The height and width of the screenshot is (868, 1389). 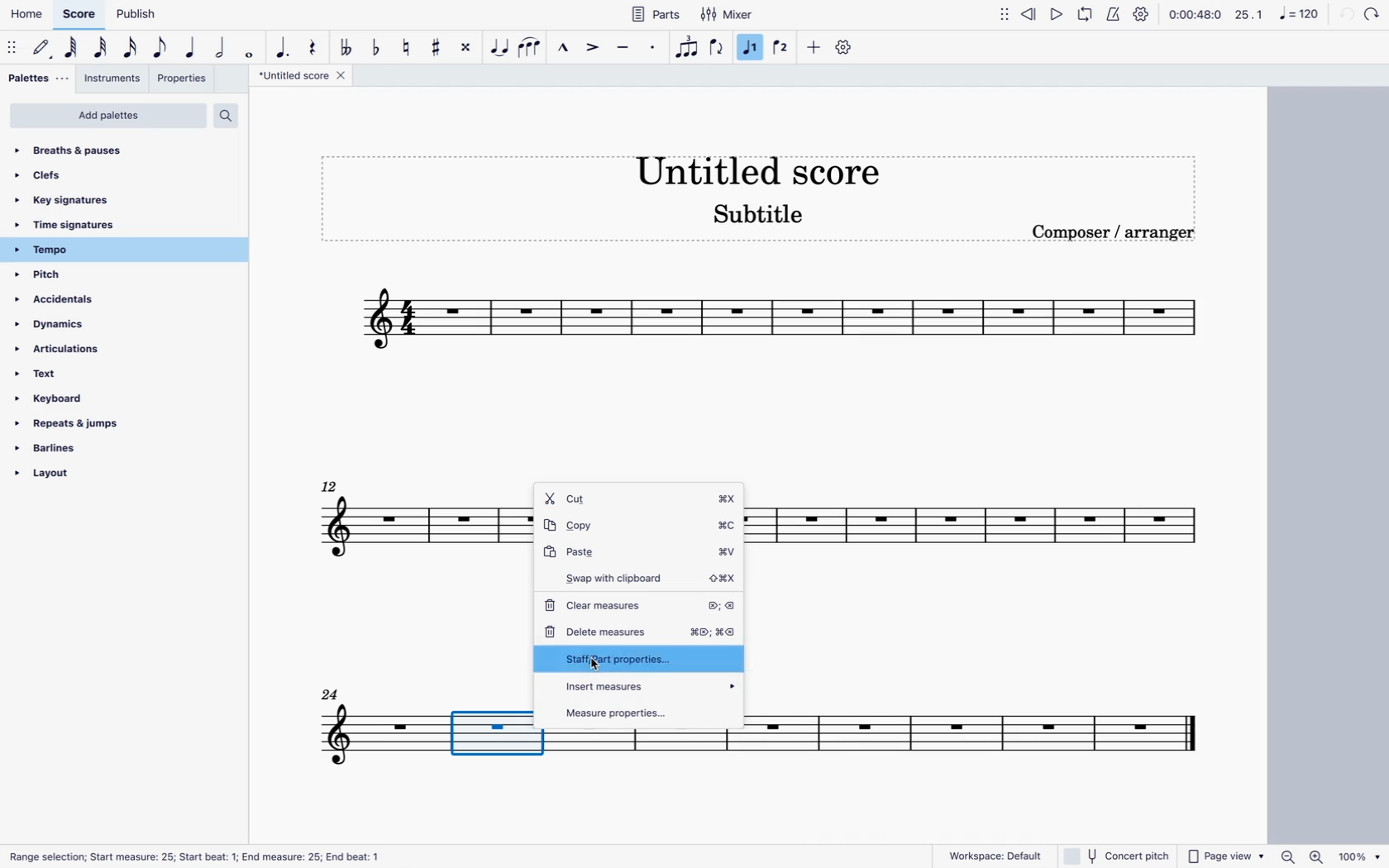 What do you see at coordinates (160, 47) in the screenshot?
I see `eighth note` at bounding box center [160, 47].